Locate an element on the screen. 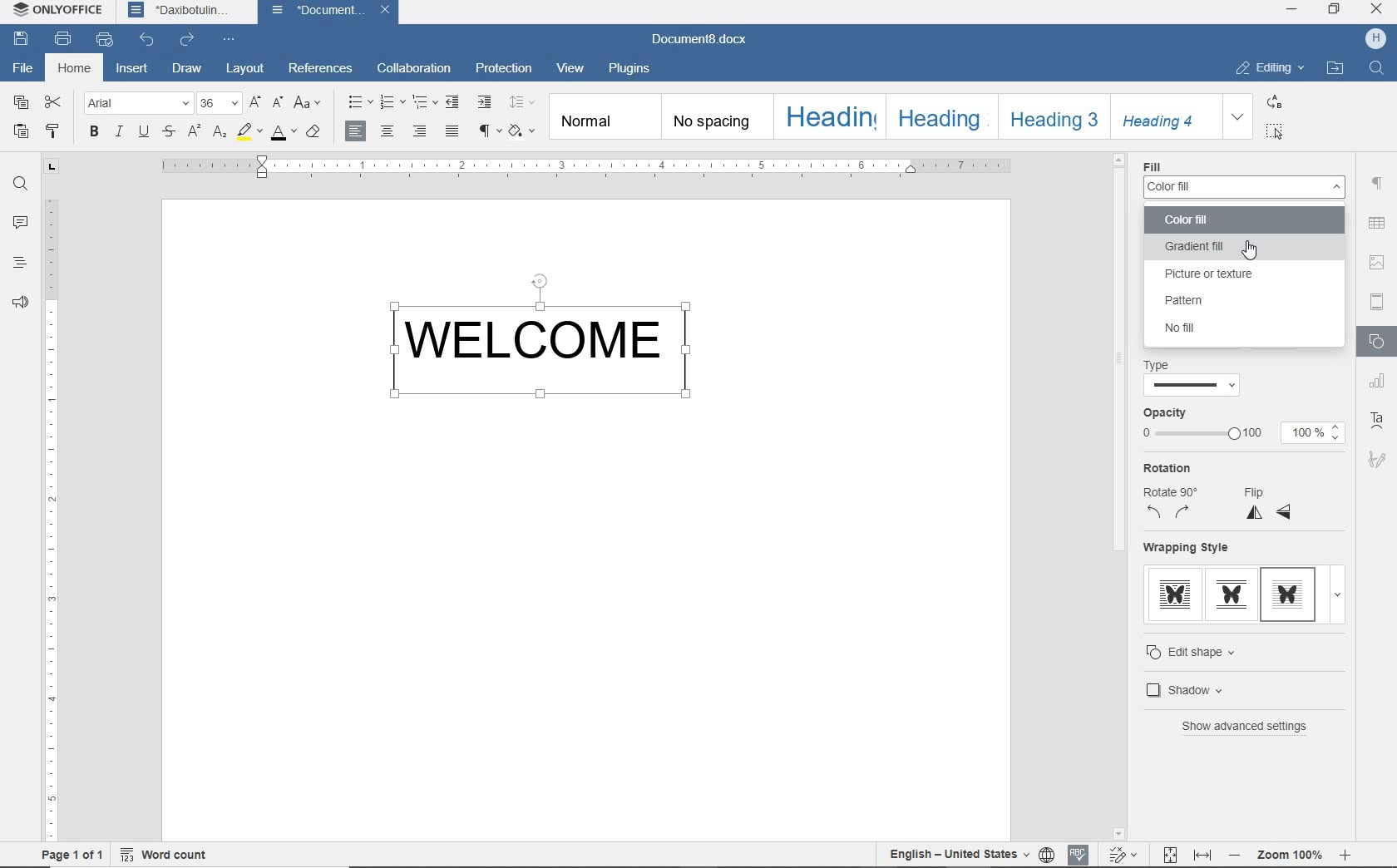 This screenshot has width=1397, height=868. gradient fill is located at coordinates (1240, 248).